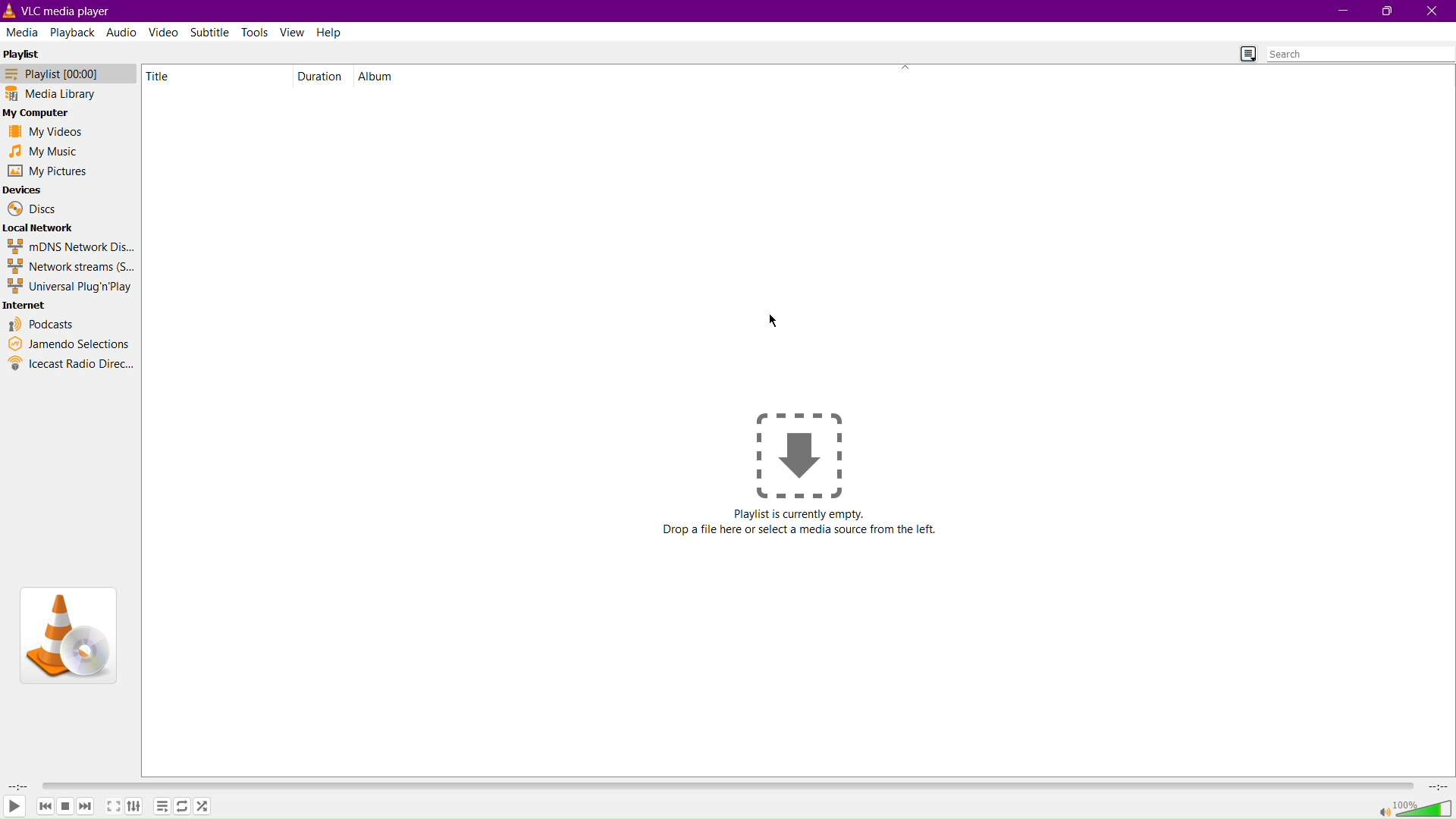 The image size is (1456, 819). What do you see at coordinates (67, 634) in the screenshot?
I see `VLC Logo` at bounding box center [67, 634].